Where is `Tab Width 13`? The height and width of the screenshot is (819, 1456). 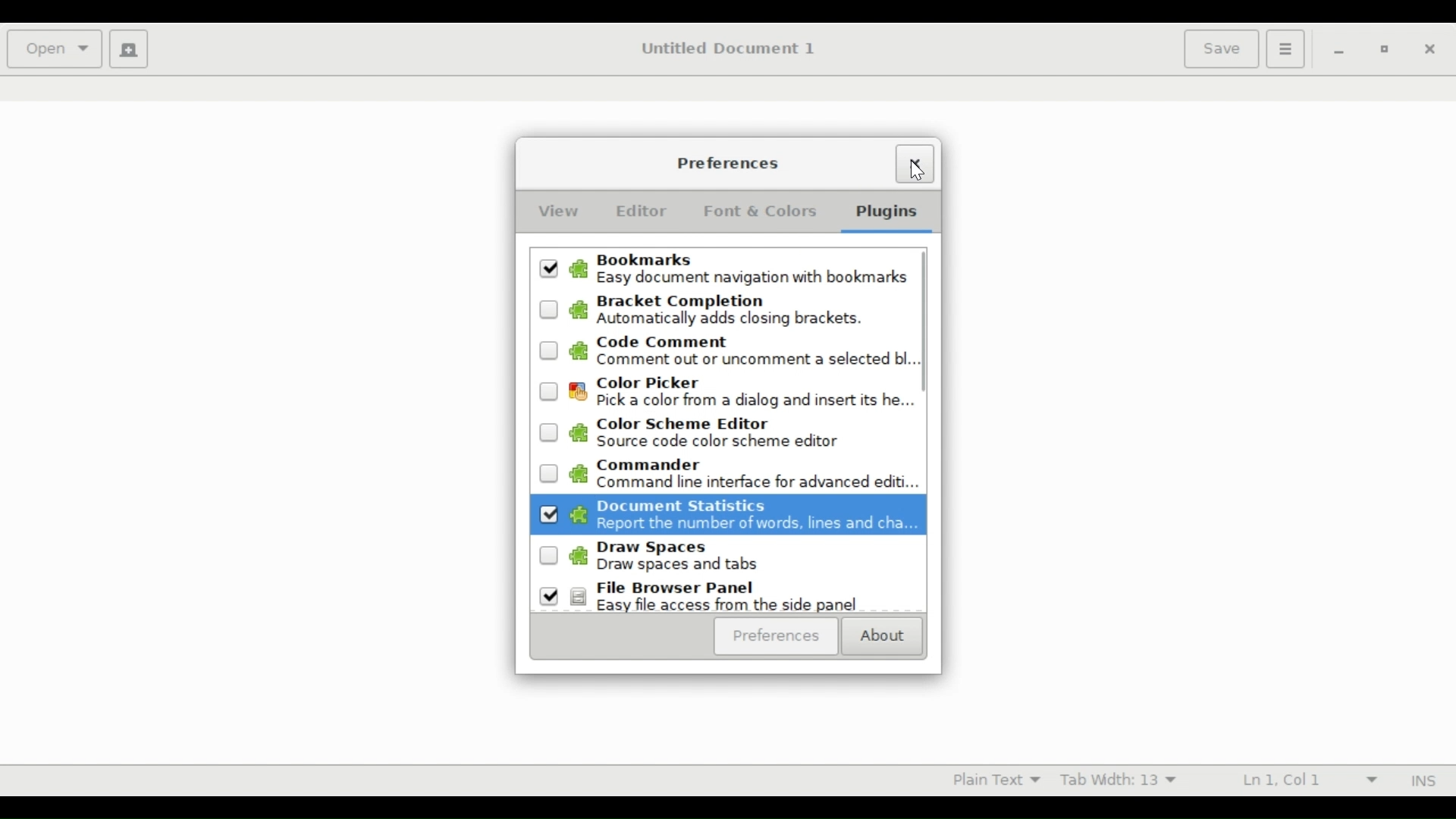
Tab Width 13 is located at coordinates (1125, 779).